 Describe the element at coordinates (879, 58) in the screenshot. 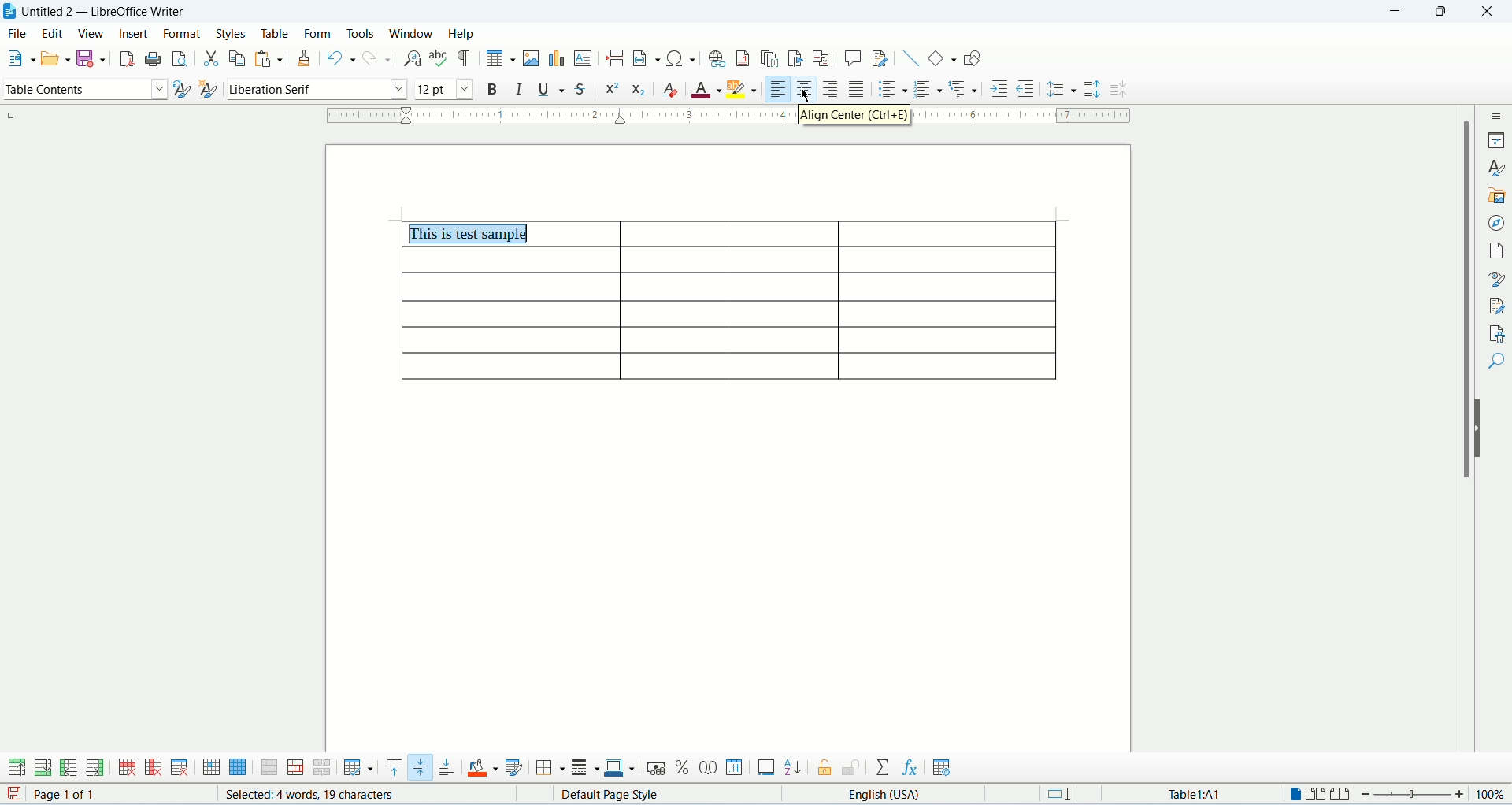

I see `track changes` at that location.